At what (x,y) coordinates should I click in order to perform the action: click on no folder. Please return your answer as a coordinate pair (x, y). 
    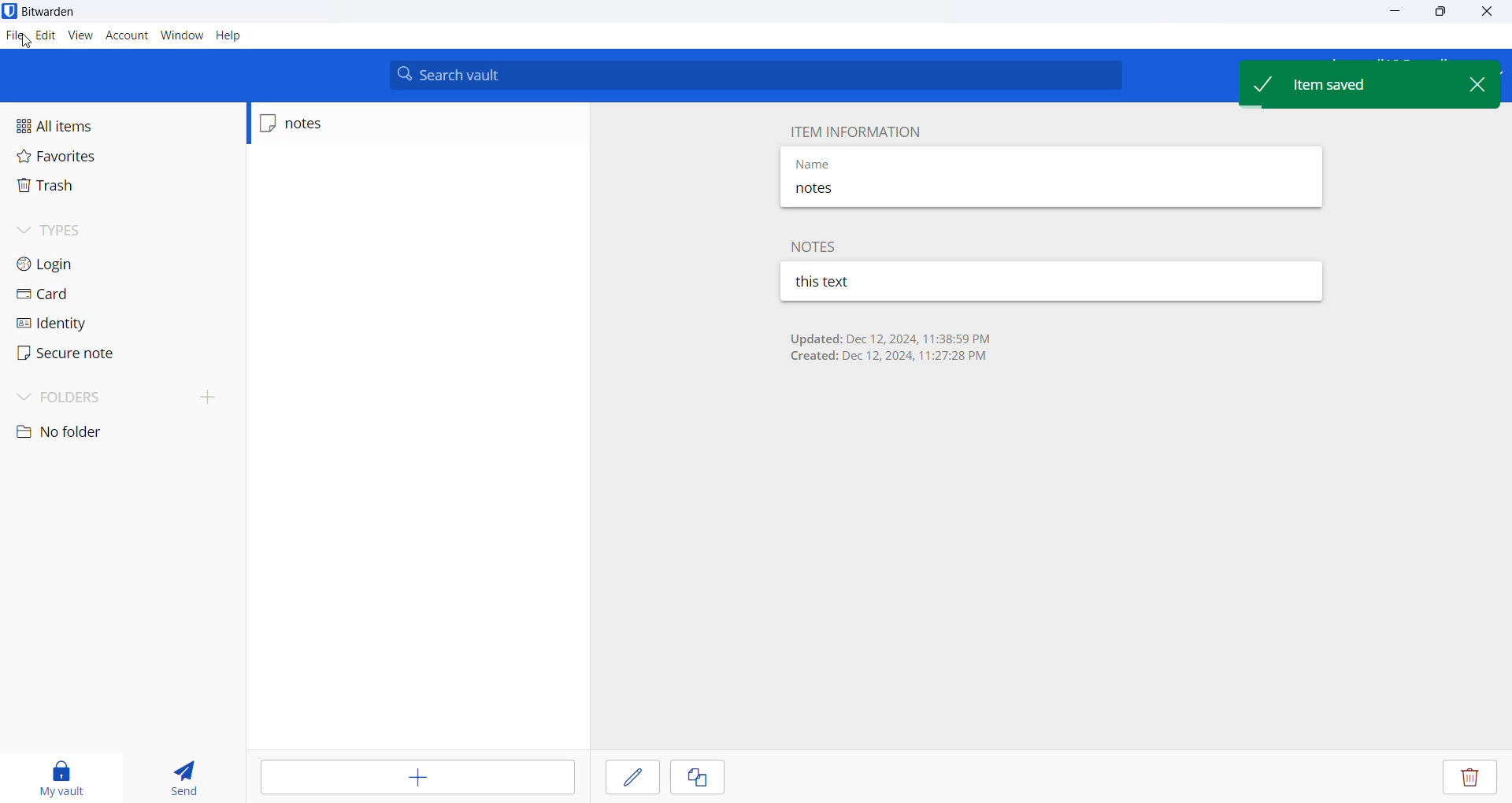
    Looking at the image, I should click on (76, 432).